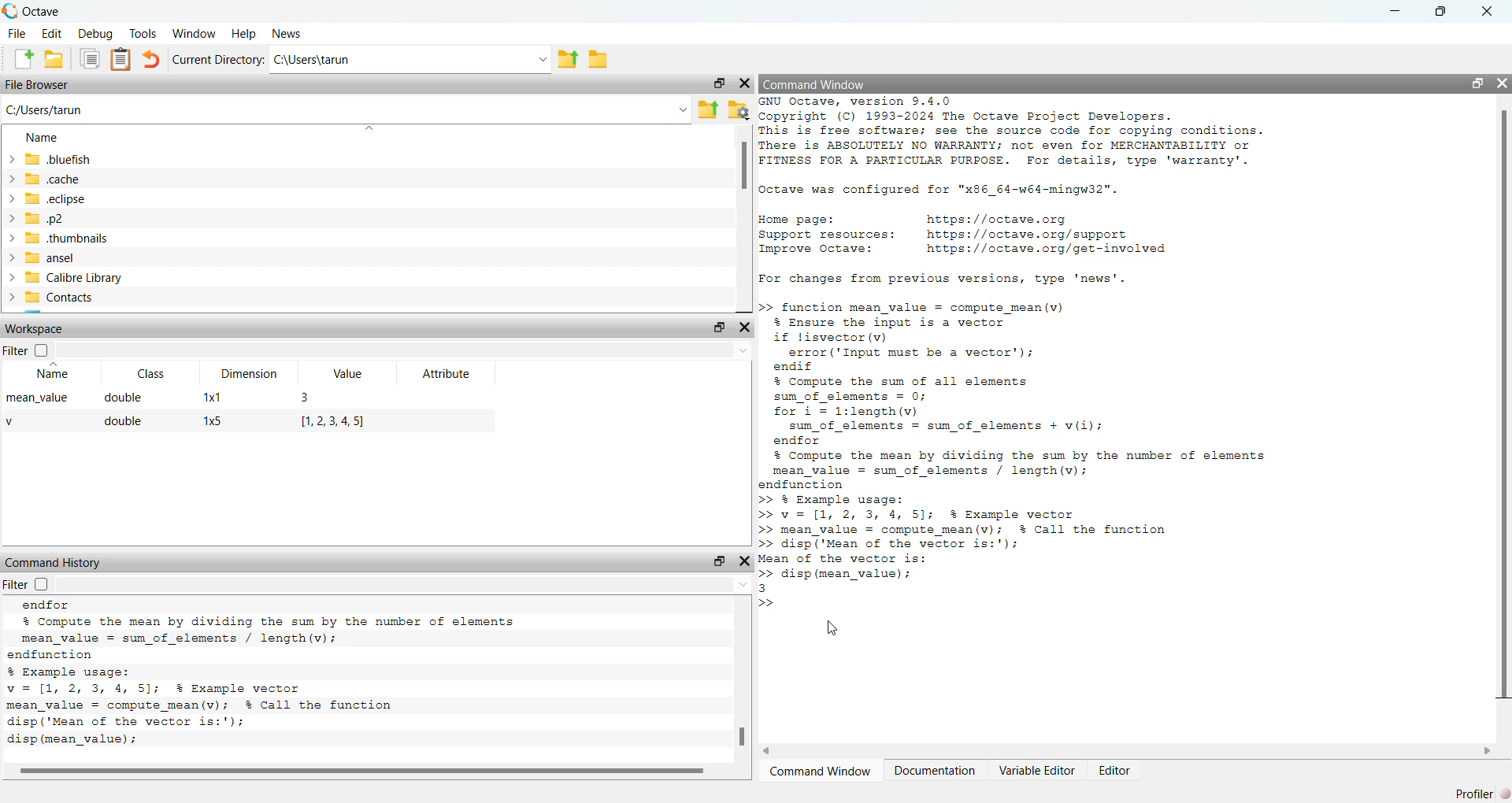  What do you see at coordinates (1488, 750) in the screenshot?
I see `scroll right` at bounding box center [1488, 750].